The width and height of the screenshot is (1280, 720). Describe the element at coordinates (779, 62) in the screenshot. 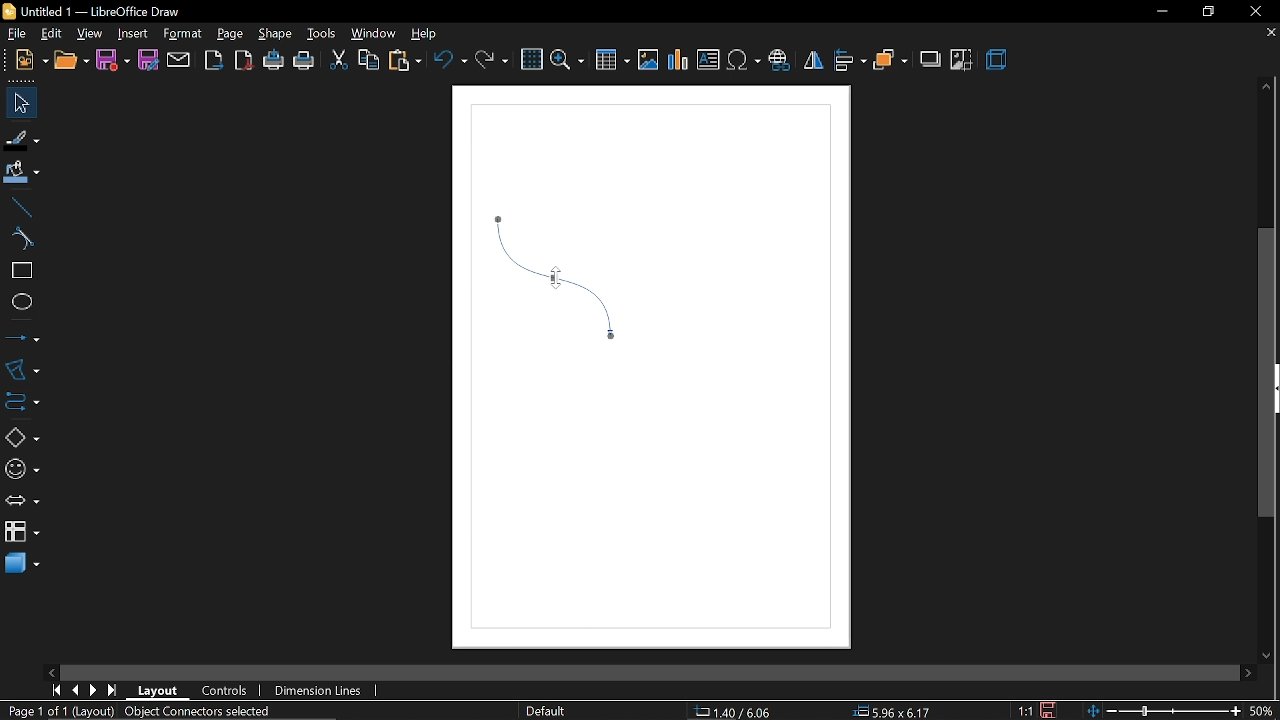

I see `Insert hyperlink` at that location.